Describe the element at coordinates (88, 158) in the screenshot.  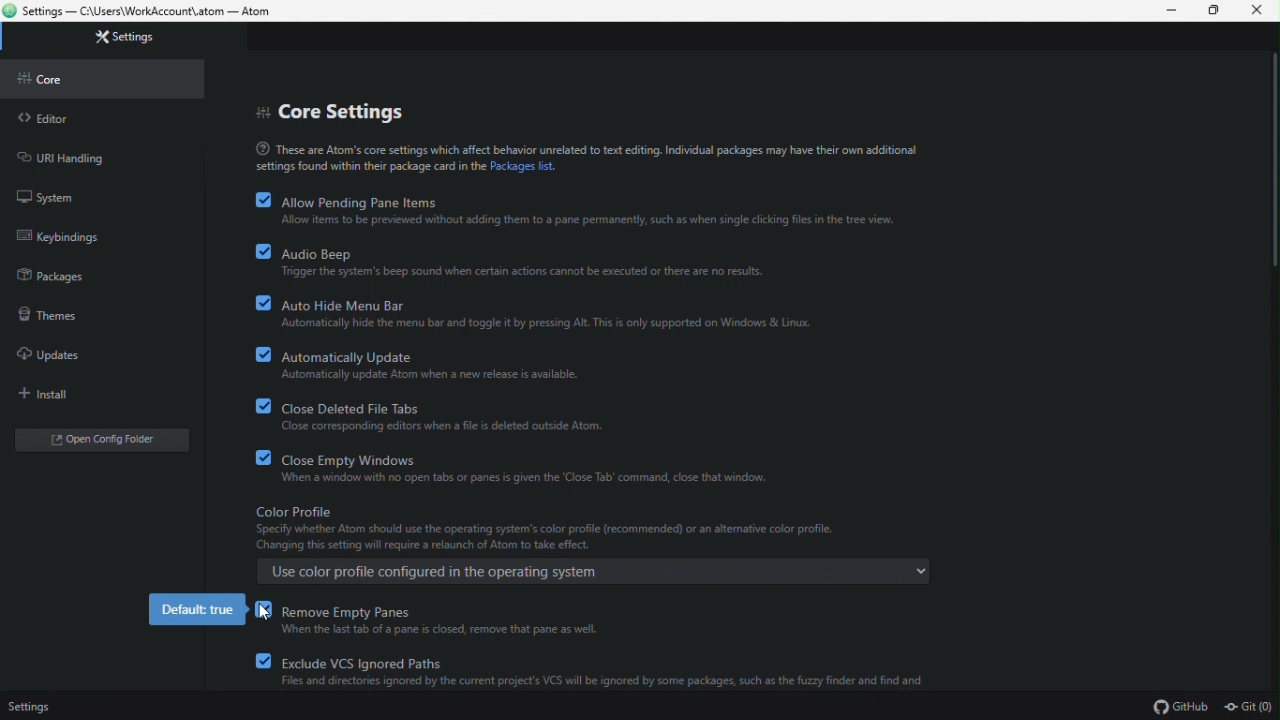
I see `URL handling` at that location.